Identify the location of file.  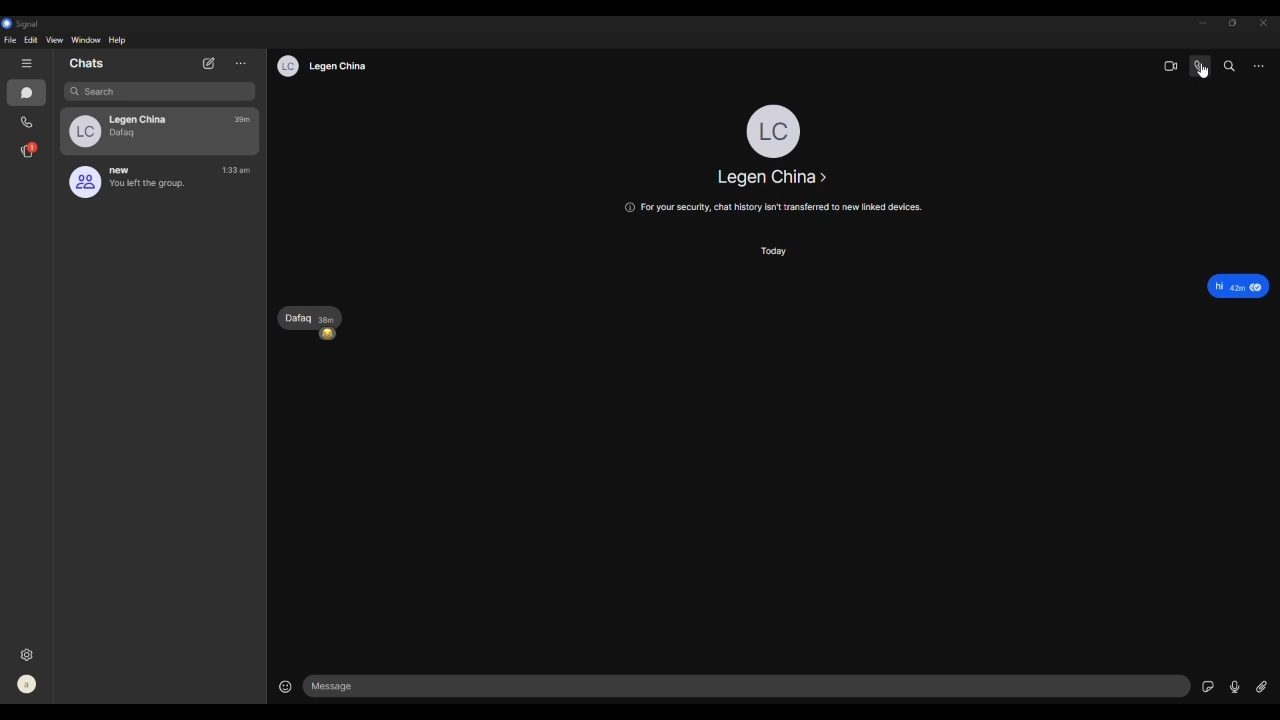
(12, 40).